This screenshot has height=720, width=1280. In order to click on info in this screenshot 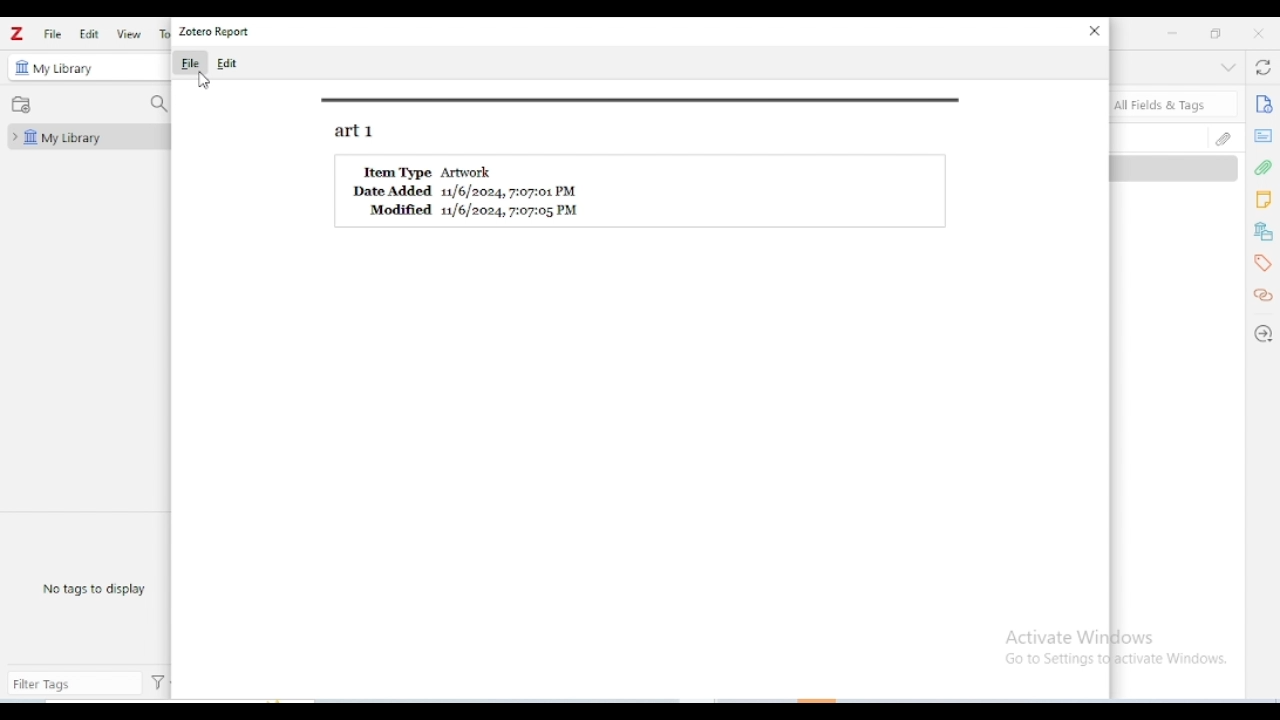, I will do `click(1264, 104)`.